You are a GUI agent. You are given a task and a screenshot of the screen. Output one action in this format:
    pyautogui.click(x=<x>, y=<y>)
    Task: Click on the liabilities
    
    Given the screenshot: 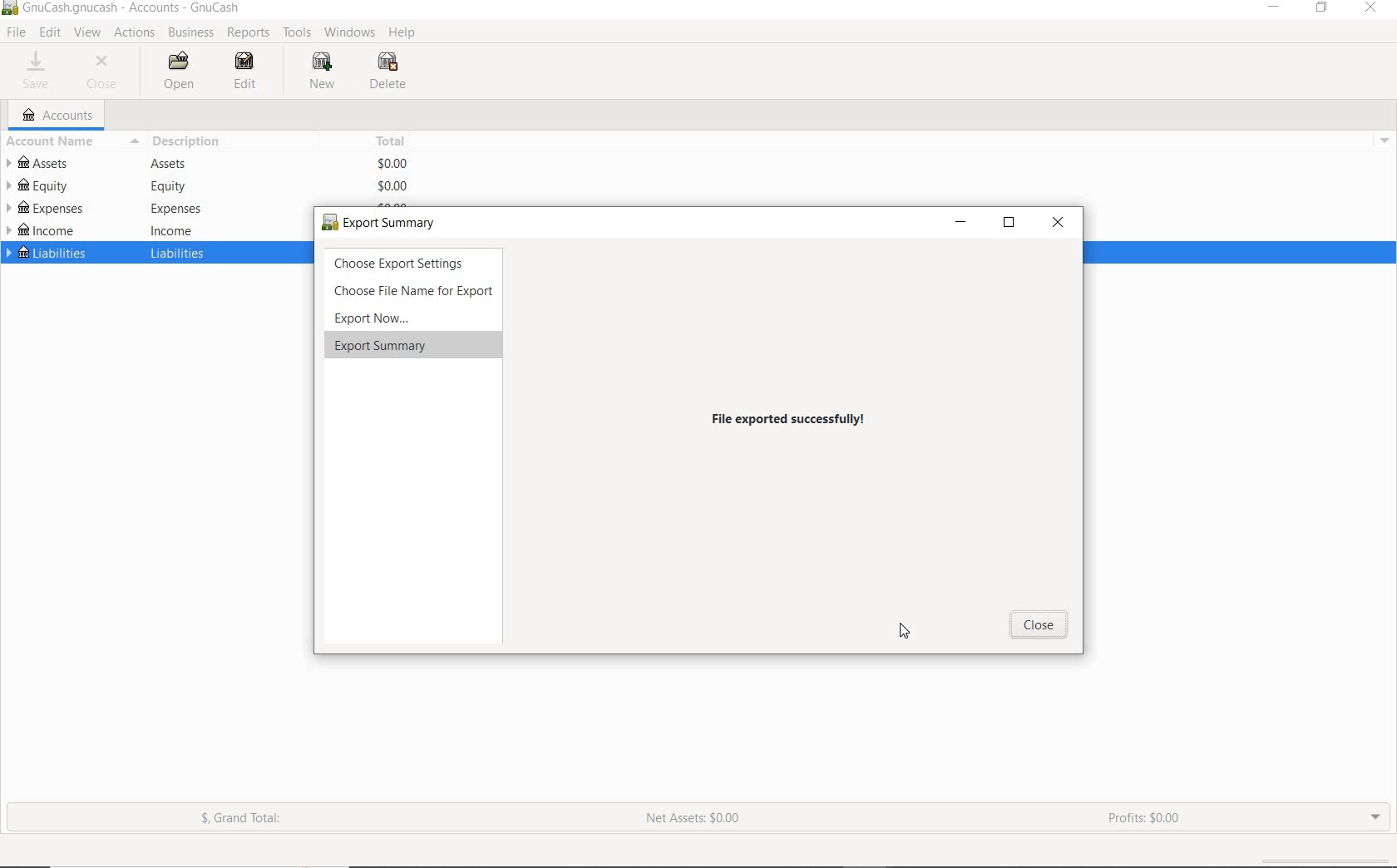 What is the action you would take?
    pyautogui.click(x=180, y=252)
    